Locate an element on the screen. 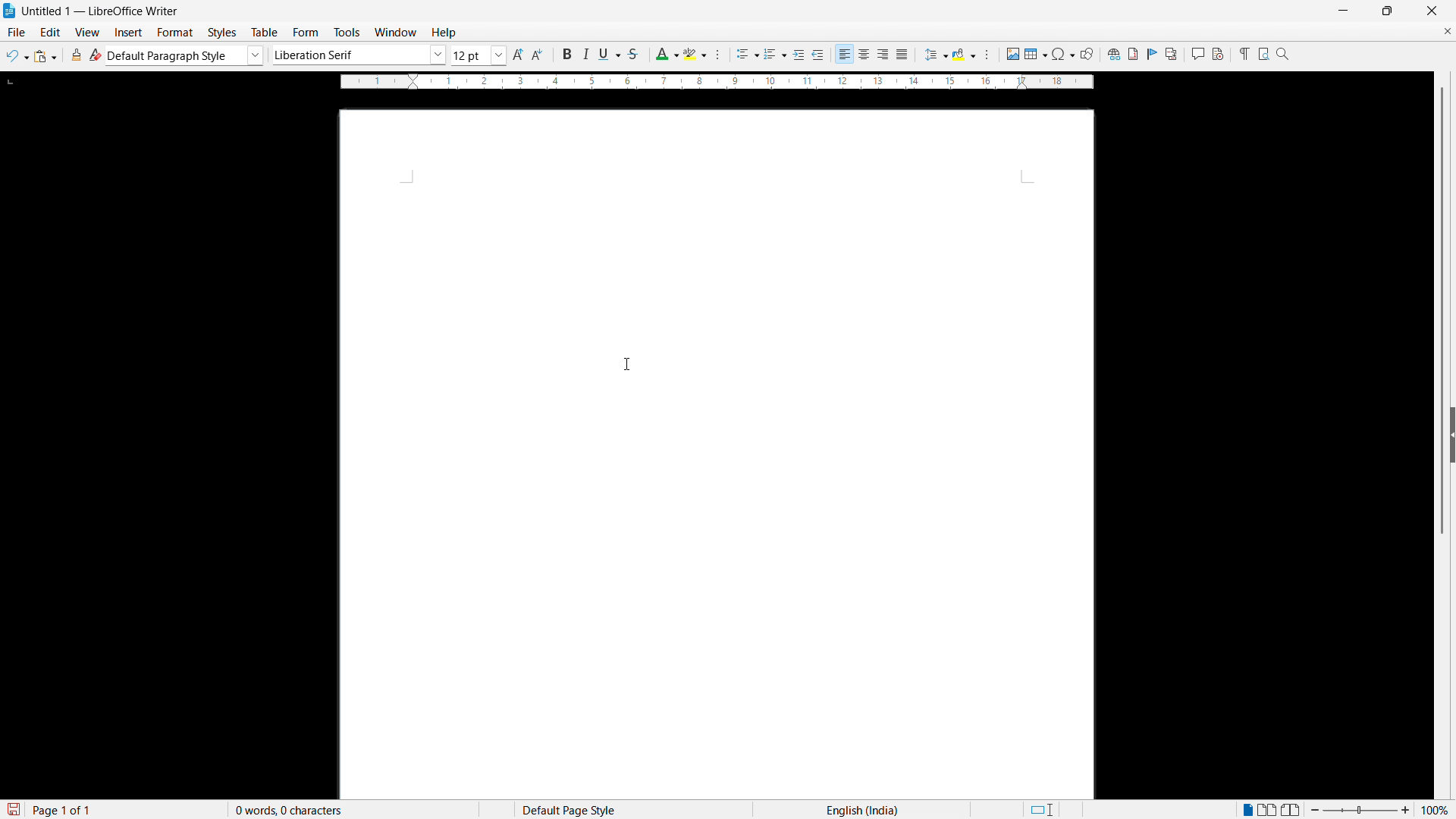 The image size is (1456, 819). help  is located at coordinates (444, 33).